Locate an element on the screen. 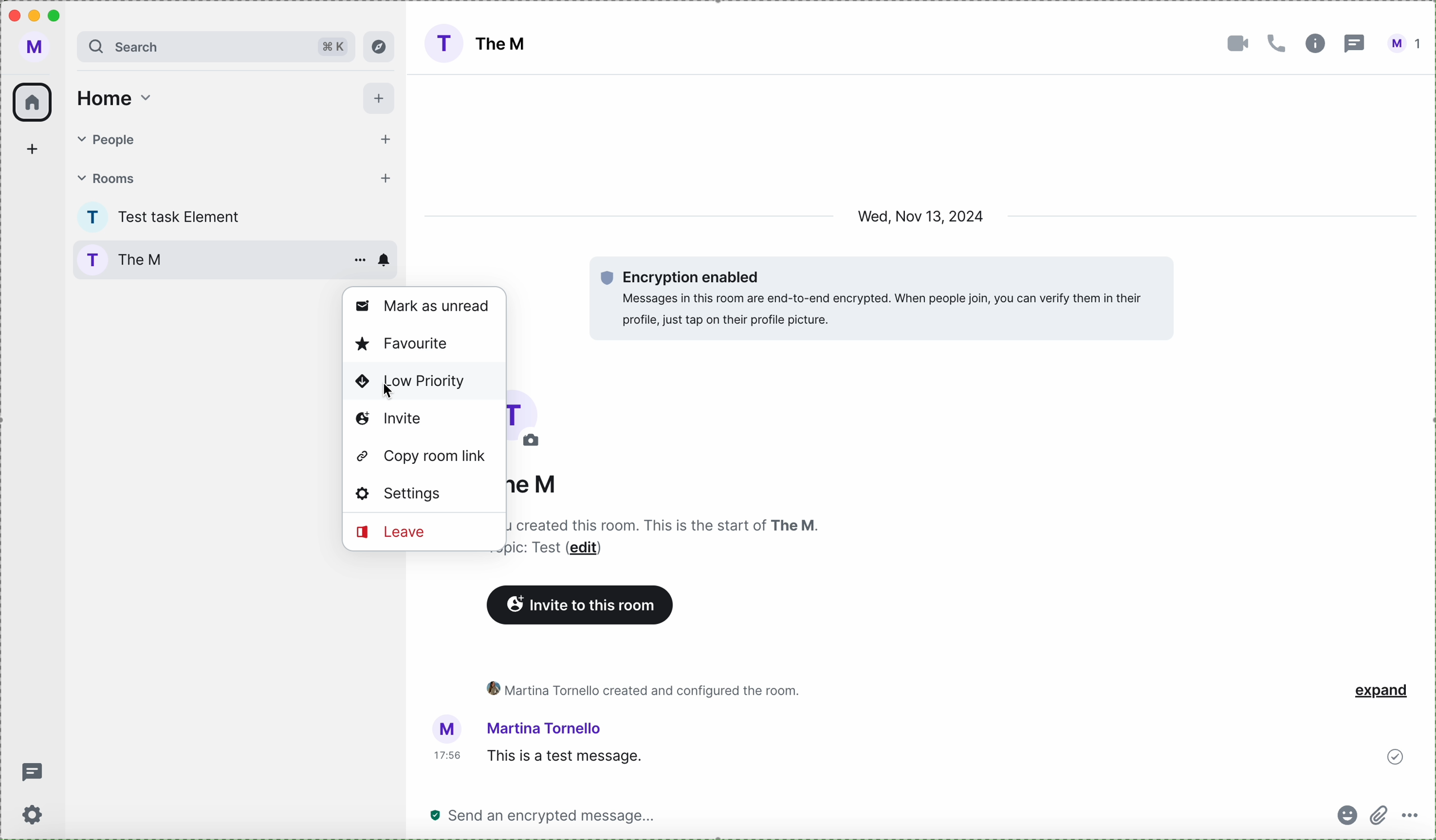 This screenshot has width=1436, height=840. picture profile is located at coordinates (447, 728).